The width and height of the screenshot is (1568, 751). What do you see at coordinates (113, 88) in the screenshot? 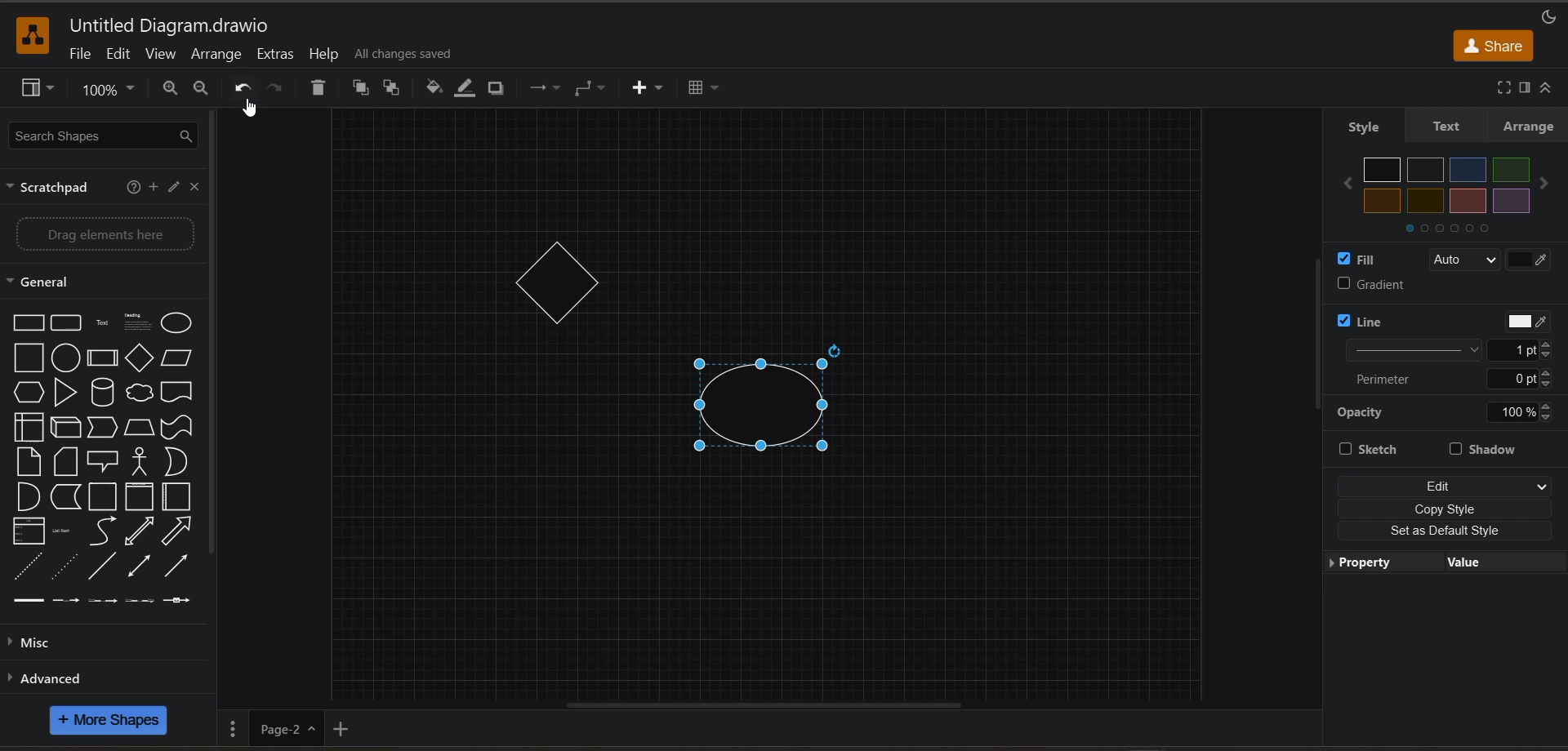
I see `zoom` at bounding box center [113, 88].